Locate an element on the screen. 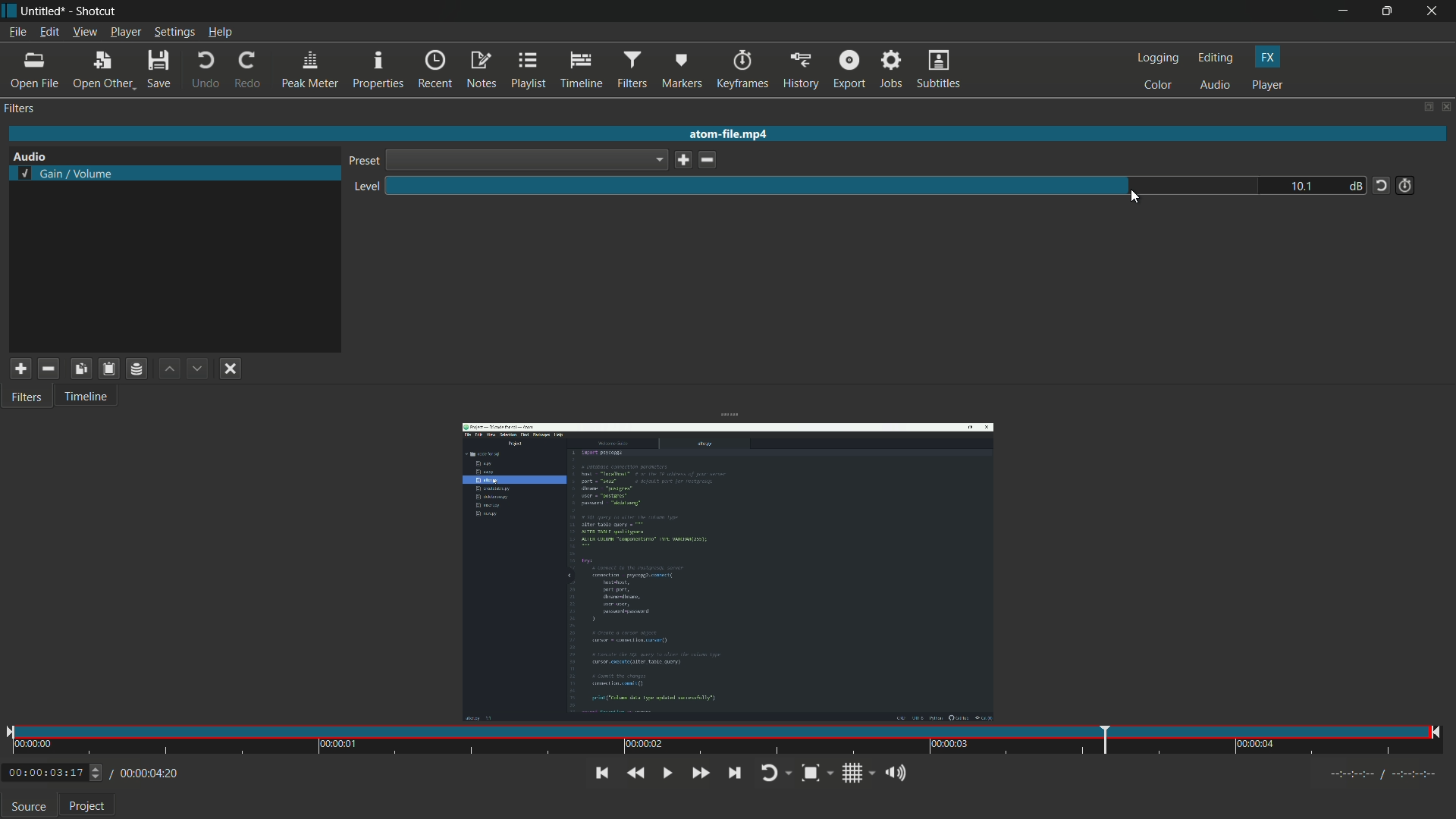  /00:00:04:20(total time) is located at coordinates (146, 771).